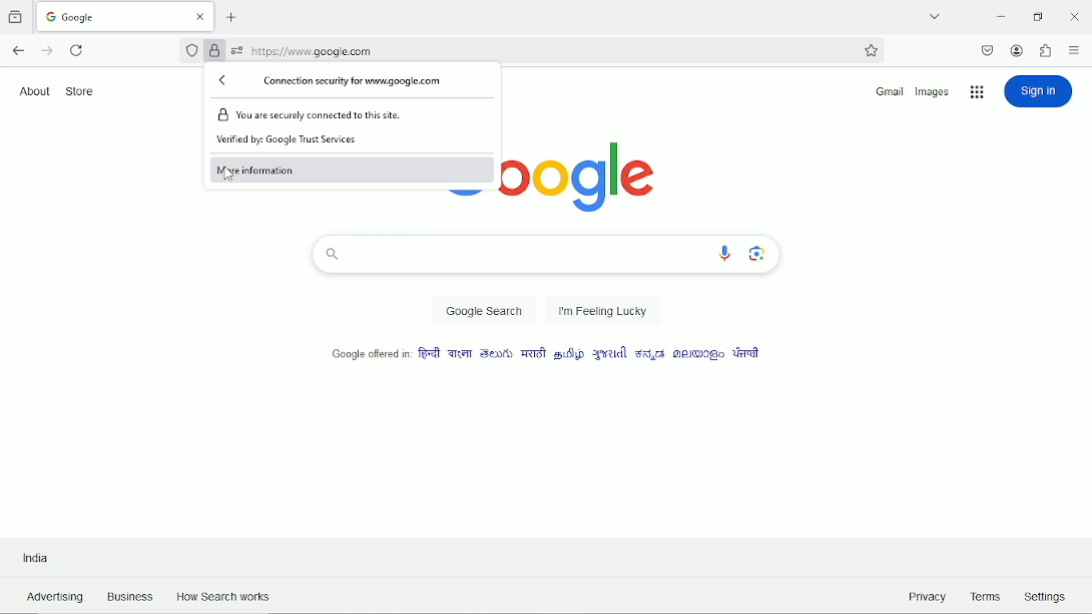  I want to click on language, so click(496, 353).